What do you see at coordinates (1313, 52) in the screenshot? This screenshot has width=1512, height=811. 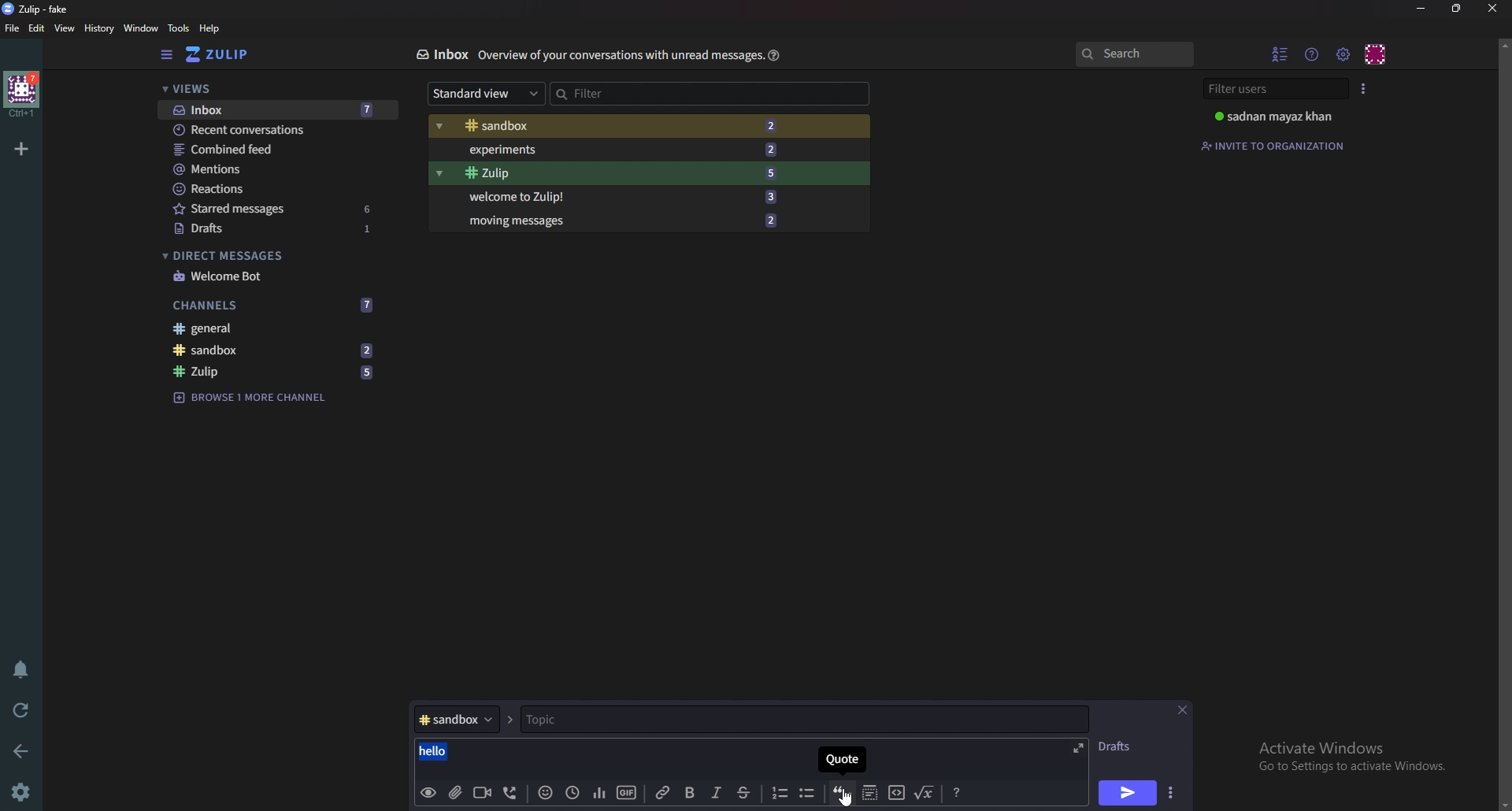 I see `Help menu` at bounding box center [1313, 52].